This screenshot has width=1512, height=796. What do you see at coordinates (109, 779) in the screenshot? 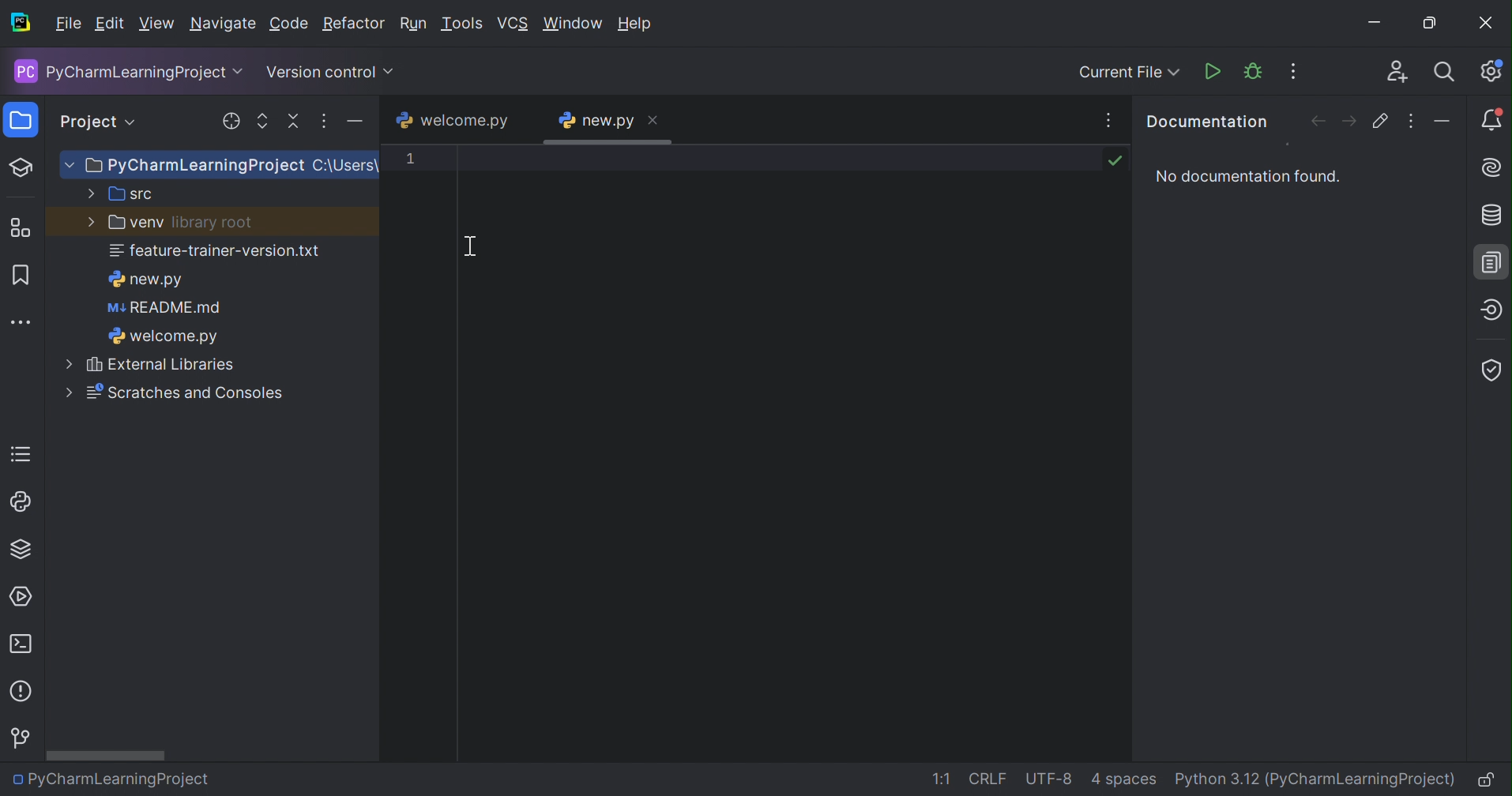
I see `PyCharmLearningProject` at bounding box center [109, 779].